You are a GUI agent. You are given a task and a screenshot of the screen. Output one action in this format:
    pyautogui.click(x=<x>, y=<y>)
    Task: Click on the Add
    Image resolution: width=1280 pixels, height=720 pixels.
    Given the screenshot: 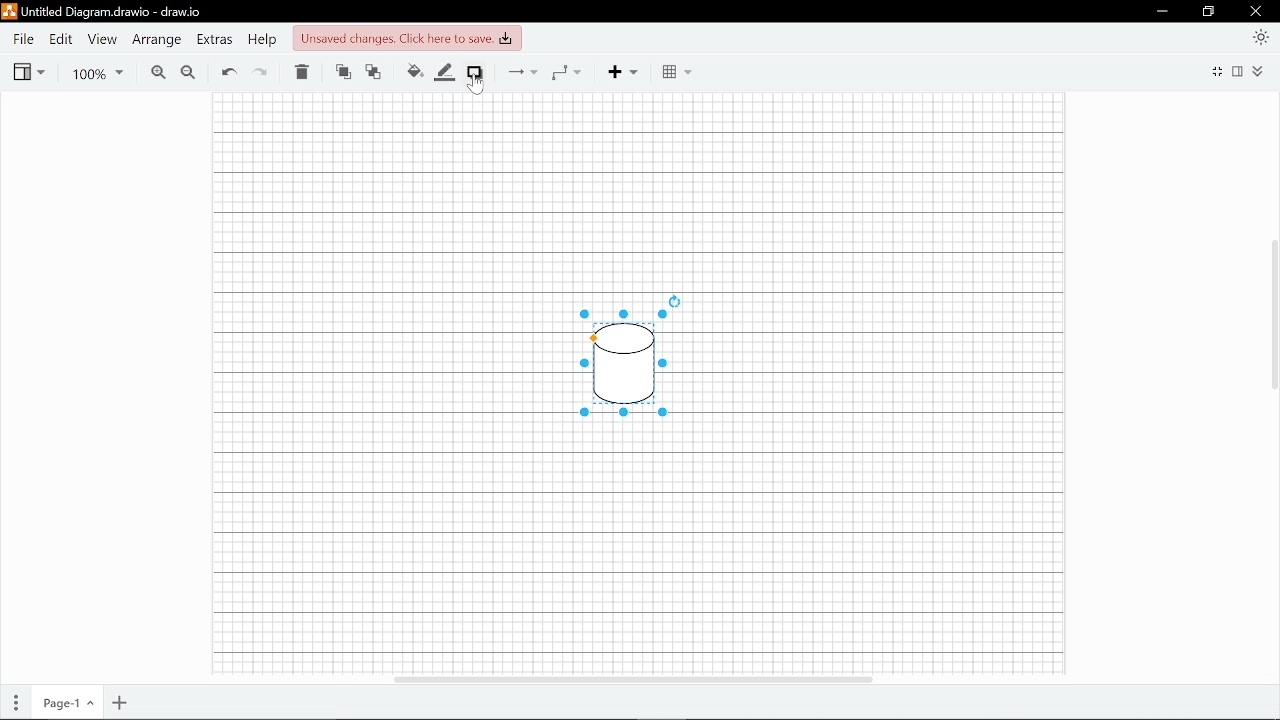 What is the action you would take?
    pyautogui.click(x=623, y=72)
    